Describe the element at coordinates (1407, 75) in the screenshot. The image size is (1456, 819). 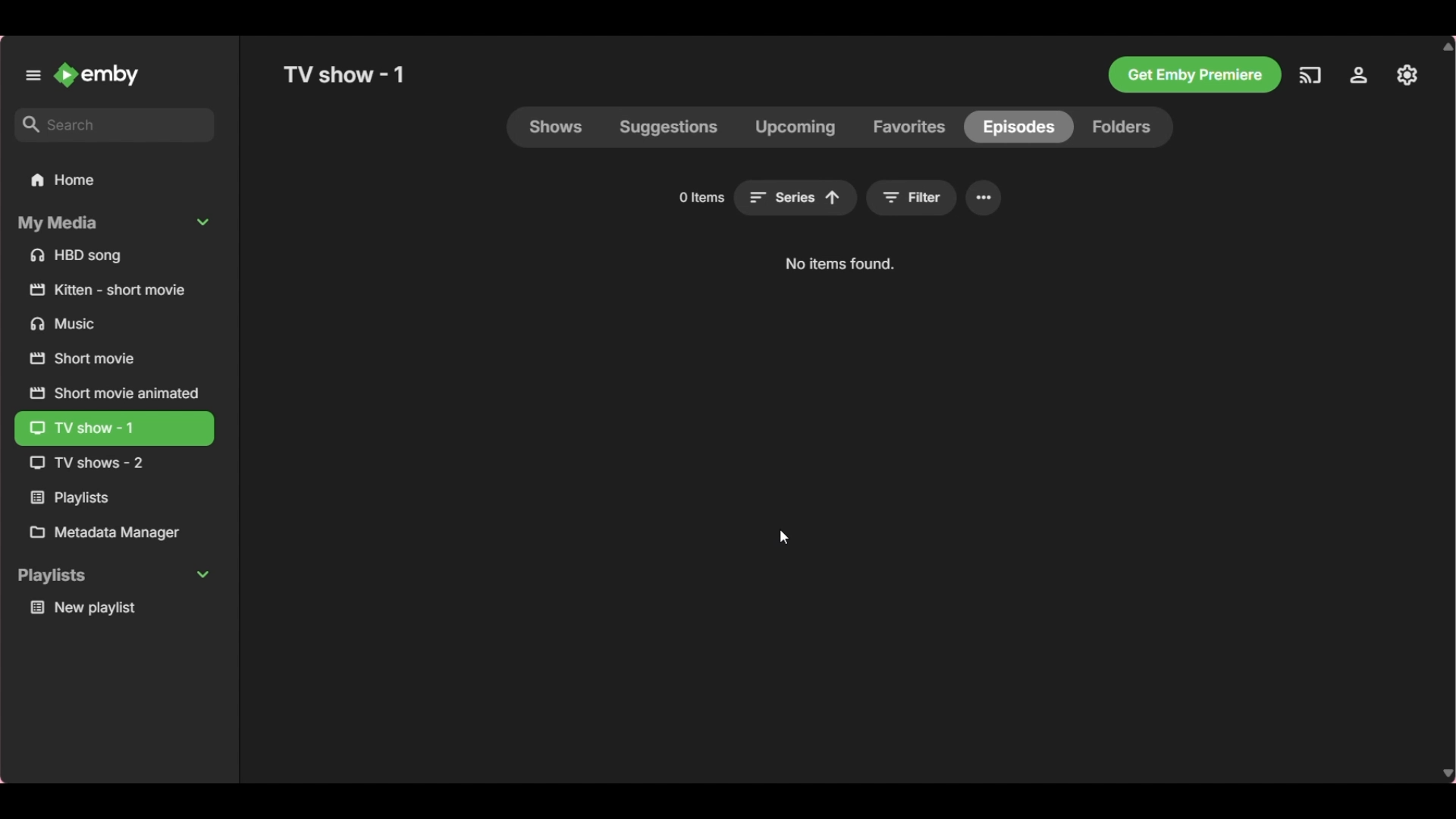
I see `Manage Emby servers` at that location.